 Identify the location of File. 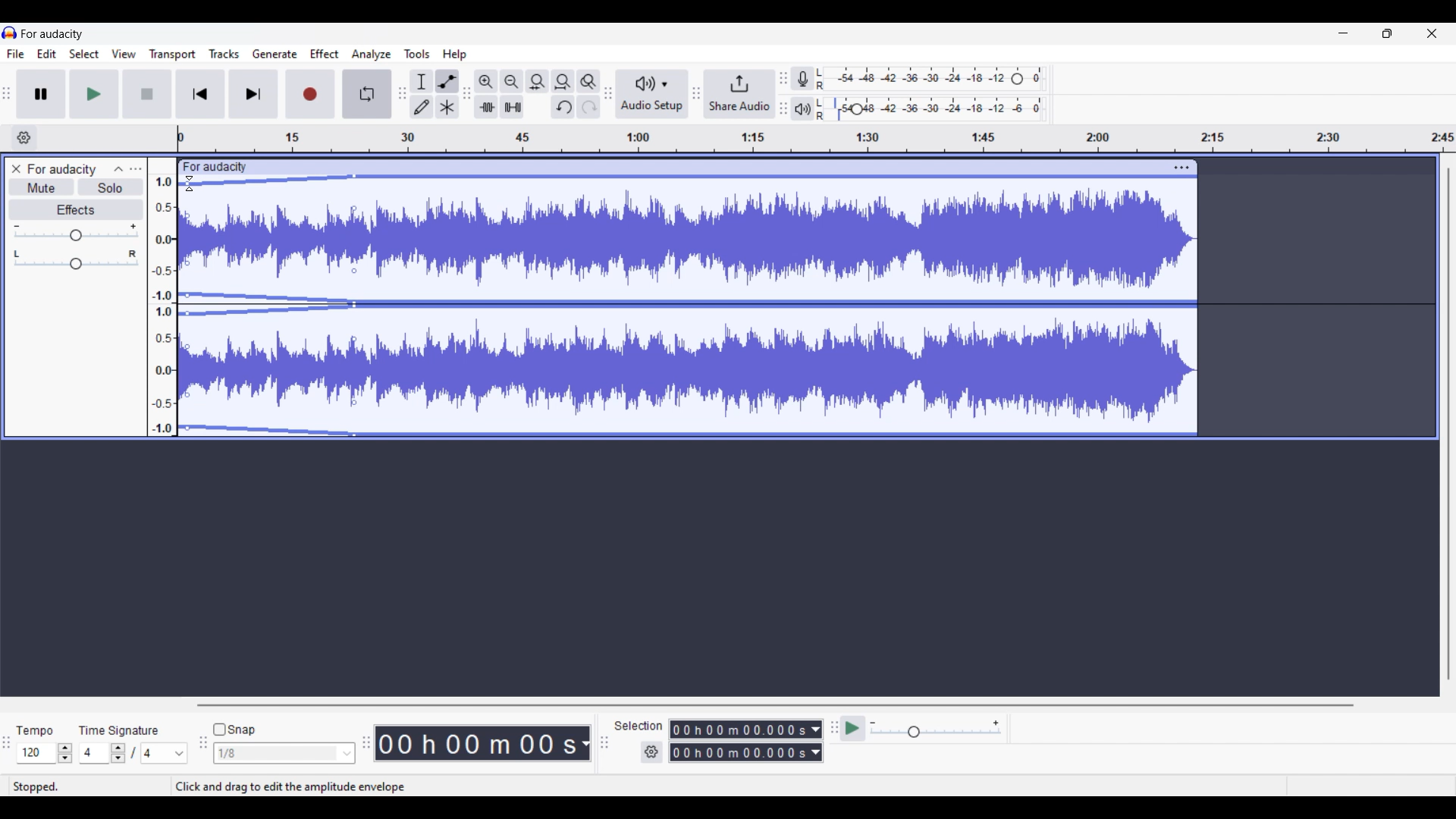
(16, 54).